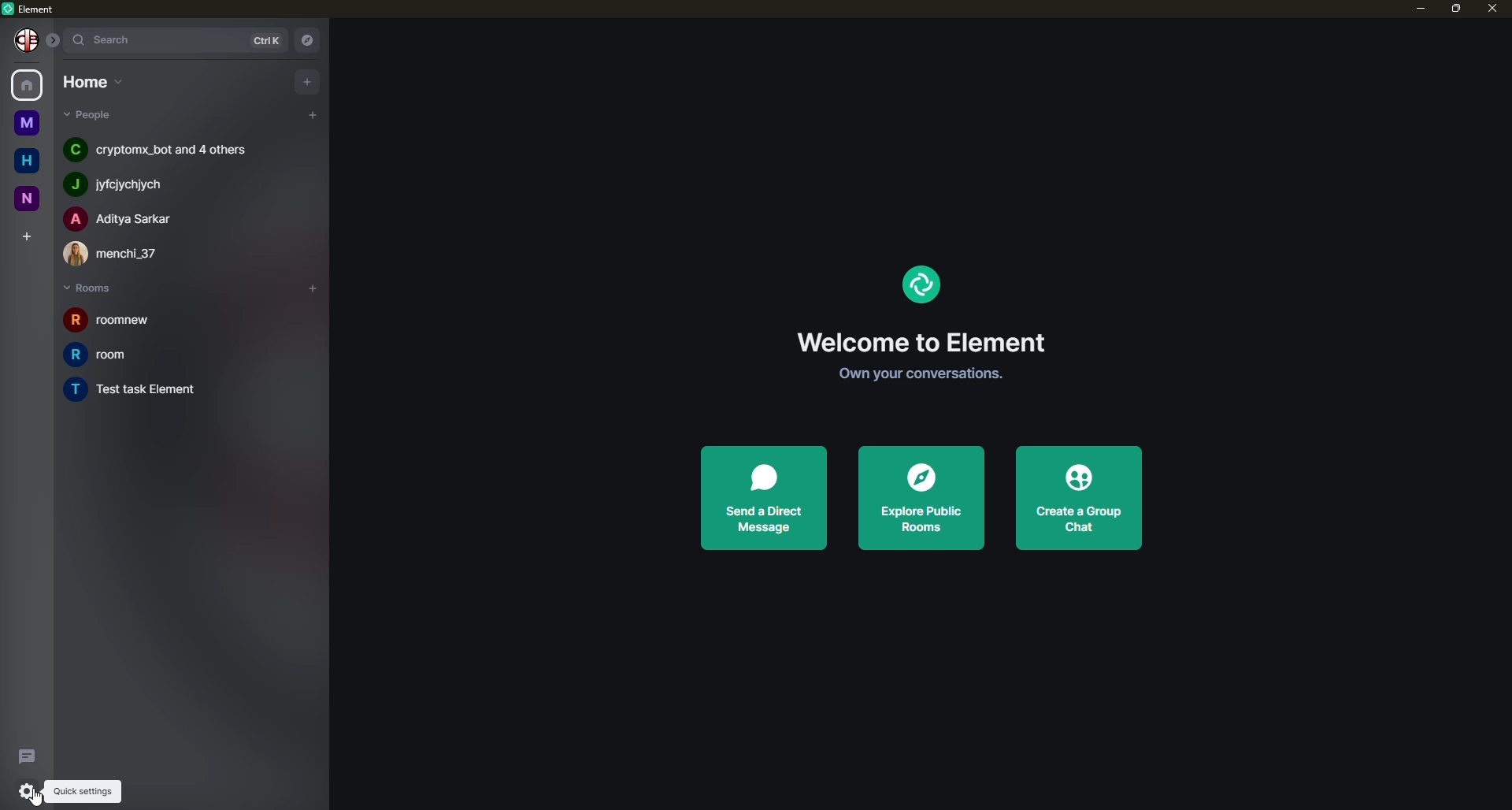  Describe the element at coordinates (124, 184) in the screenshot. I see `people` at that location.